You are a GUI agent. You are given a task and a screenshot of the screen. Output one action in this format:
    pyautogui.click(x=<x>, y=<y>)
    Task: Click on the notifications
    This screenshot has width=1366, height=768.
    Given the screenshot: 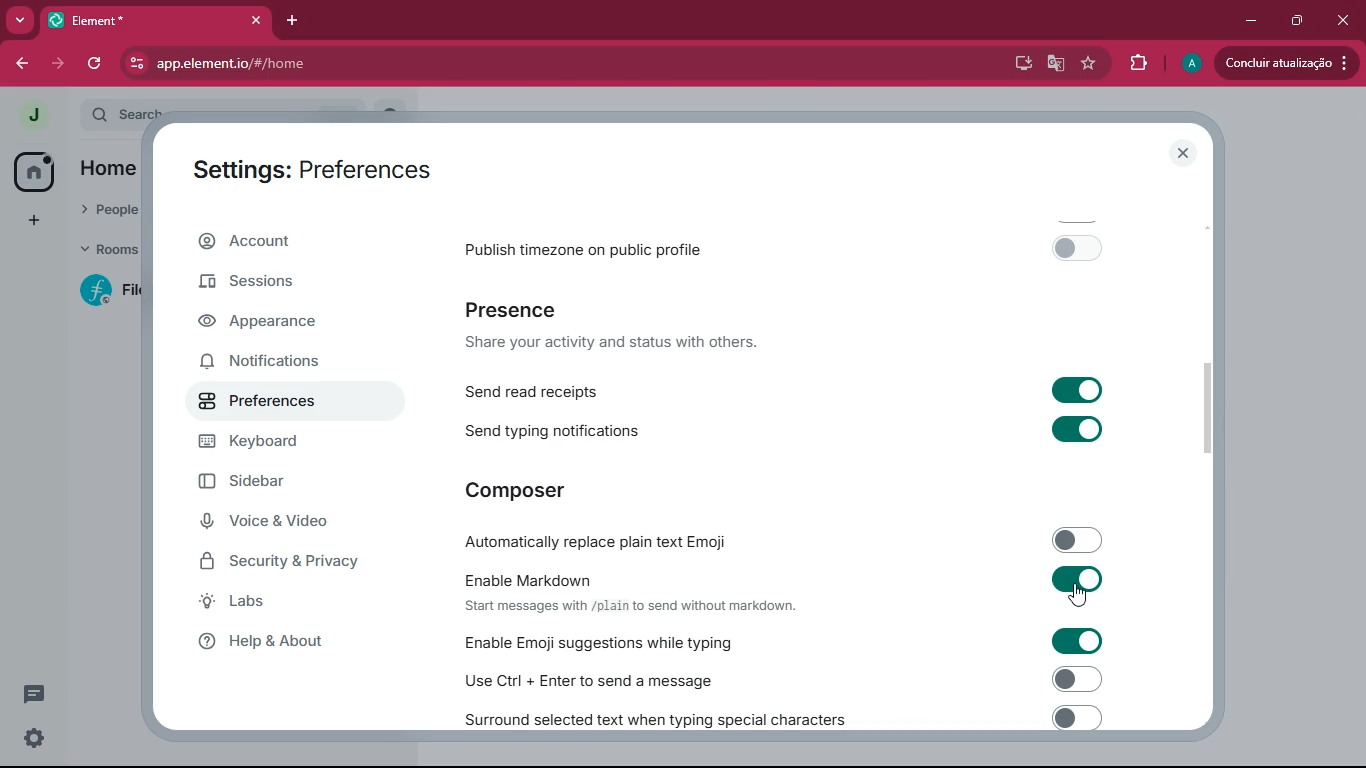 What is the action you would take?
    pyautogui.click(x=272, y=364)
    